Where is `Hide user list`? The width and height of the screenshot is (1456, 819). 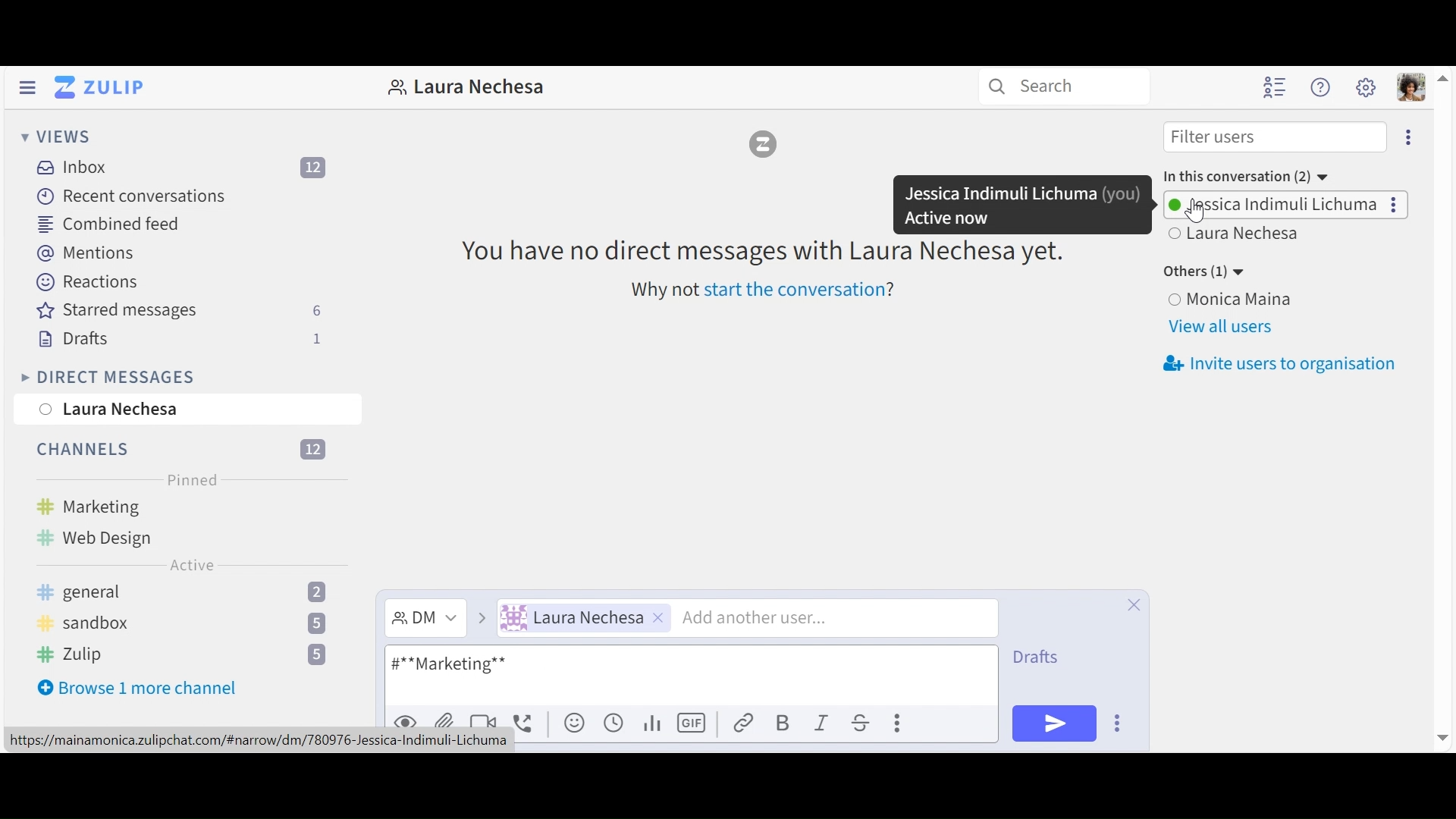 Hide user list is located at coordinates (1276, 88).